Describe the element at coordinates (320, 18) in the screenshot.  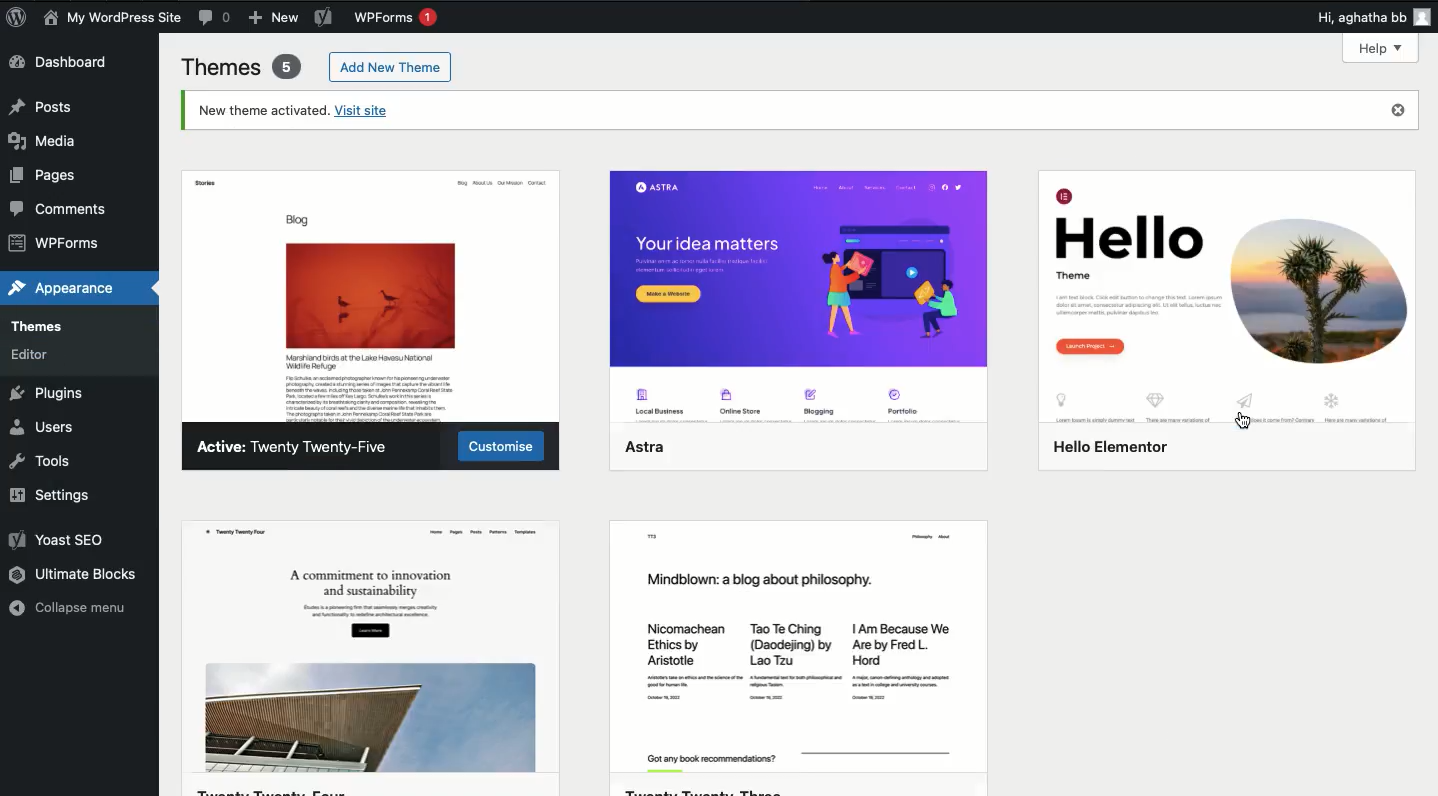
I see `Yoast` at that location.